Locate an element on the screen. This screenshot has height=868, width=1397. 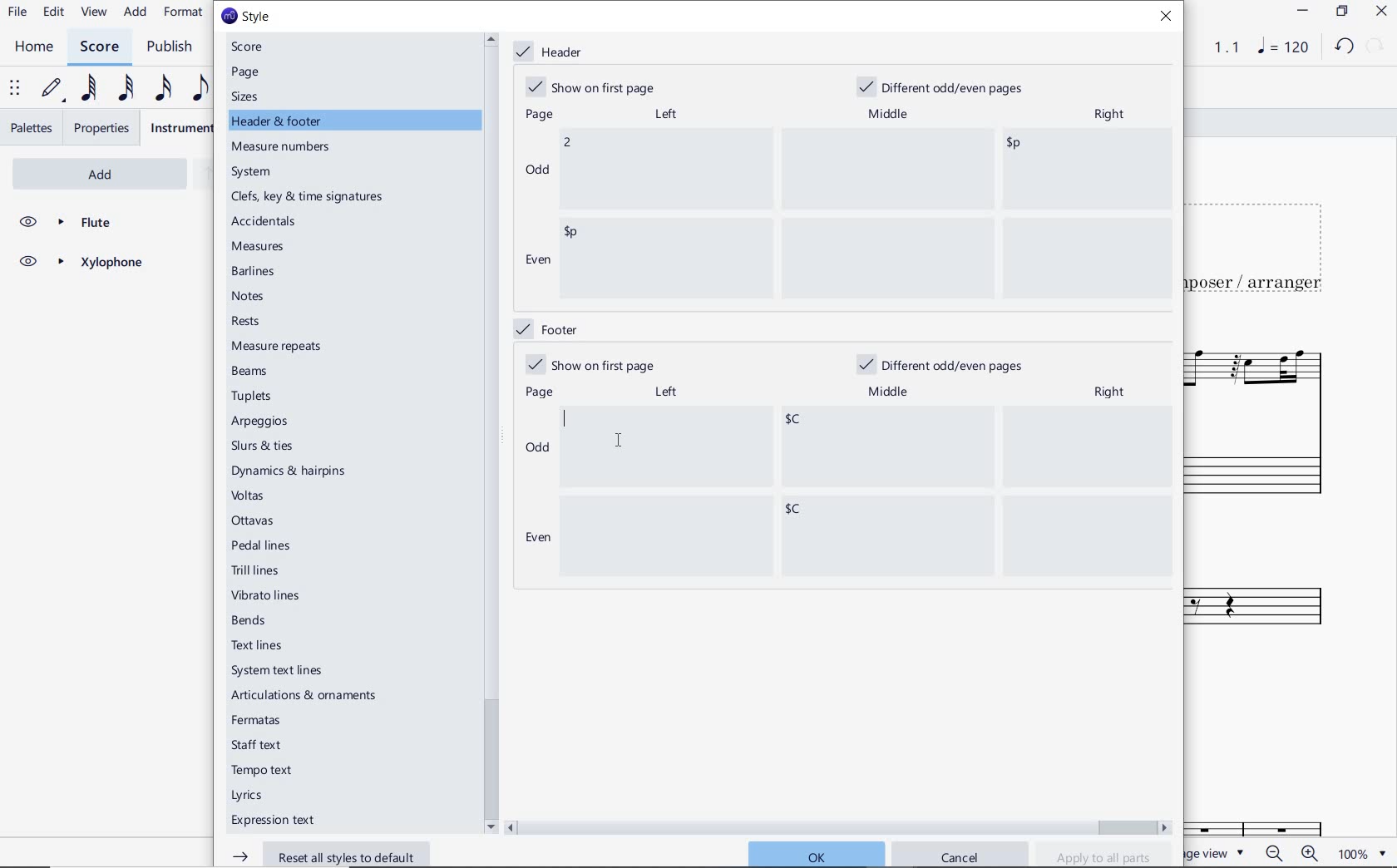
REDO is located at coordinates (1375, 47).